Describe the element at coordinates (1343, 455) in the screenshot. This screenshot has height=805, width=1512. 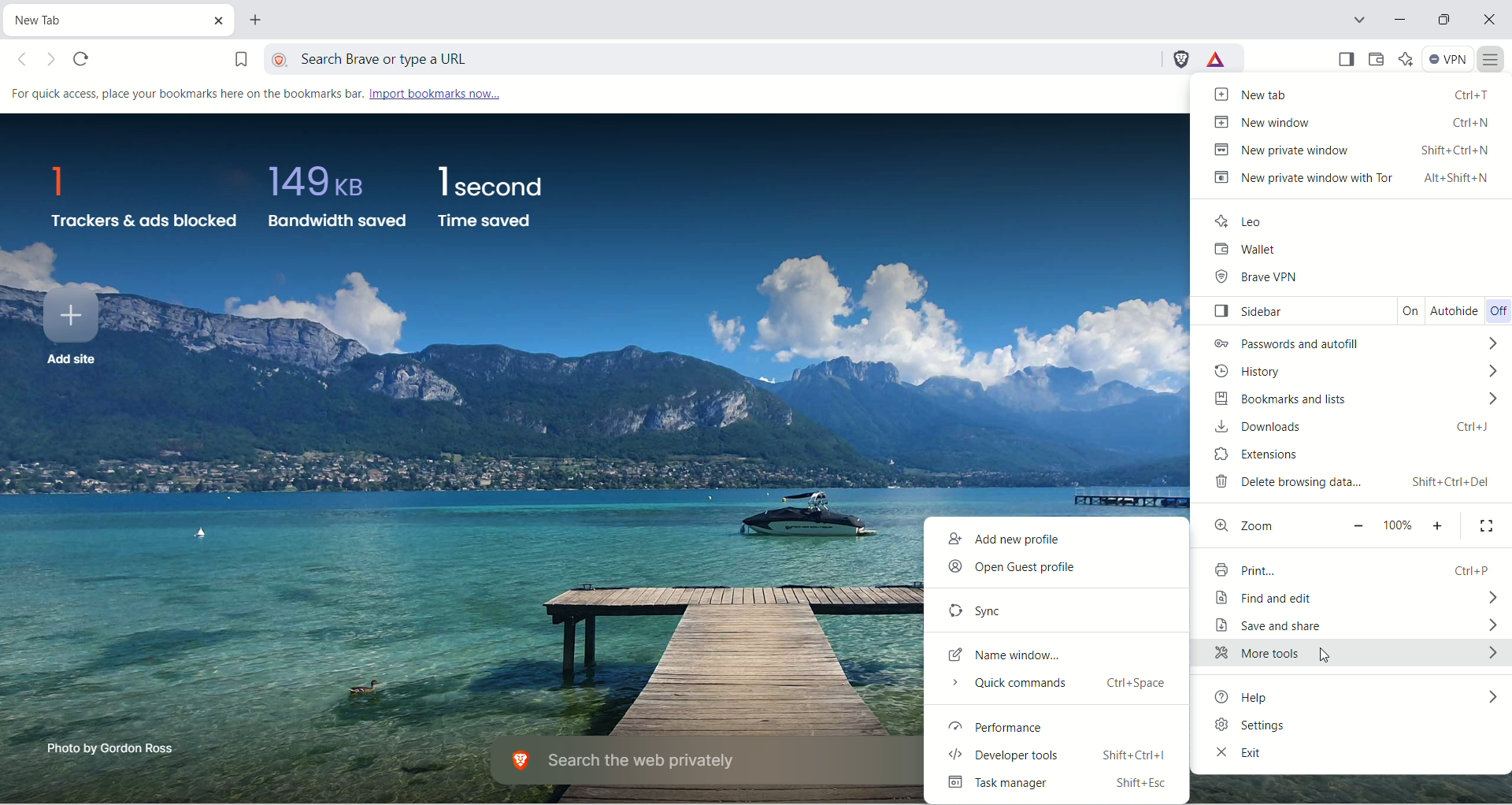
I see `extensions` at that location.